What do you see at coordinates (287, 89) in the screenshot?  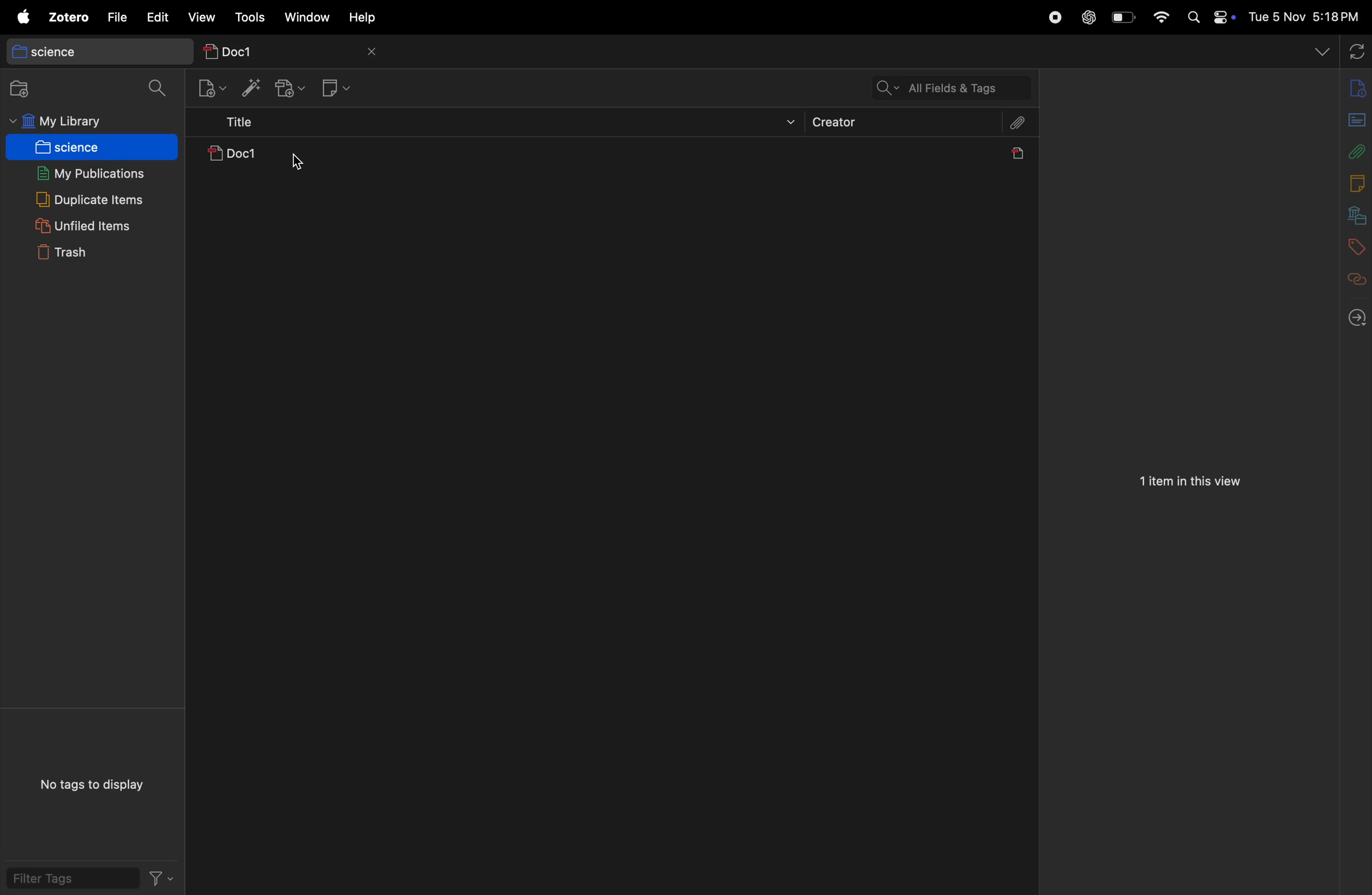 I see `add file` at bounding box center [287, 89].